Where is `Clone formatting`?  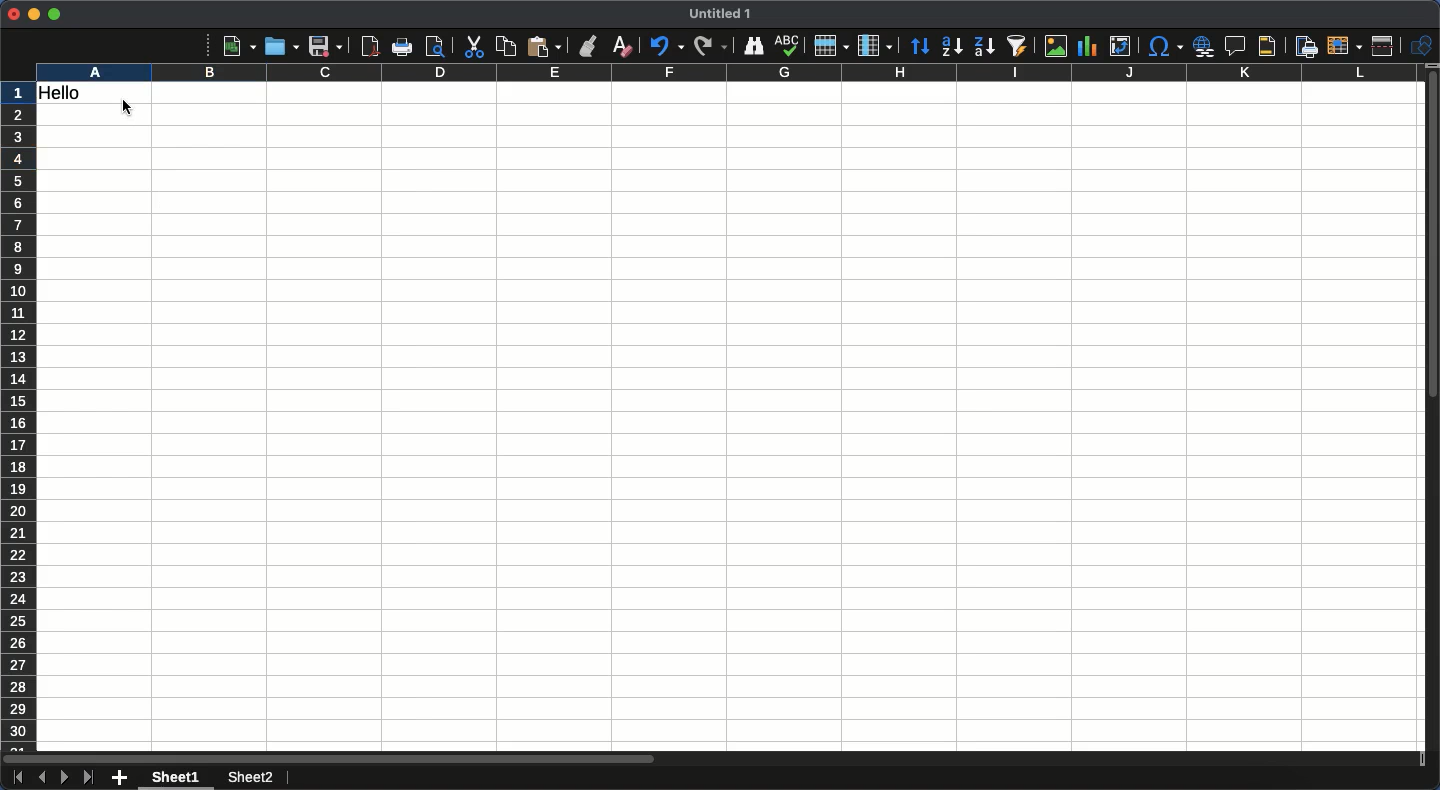
Clone formatting is located at coordinates (589, 46).